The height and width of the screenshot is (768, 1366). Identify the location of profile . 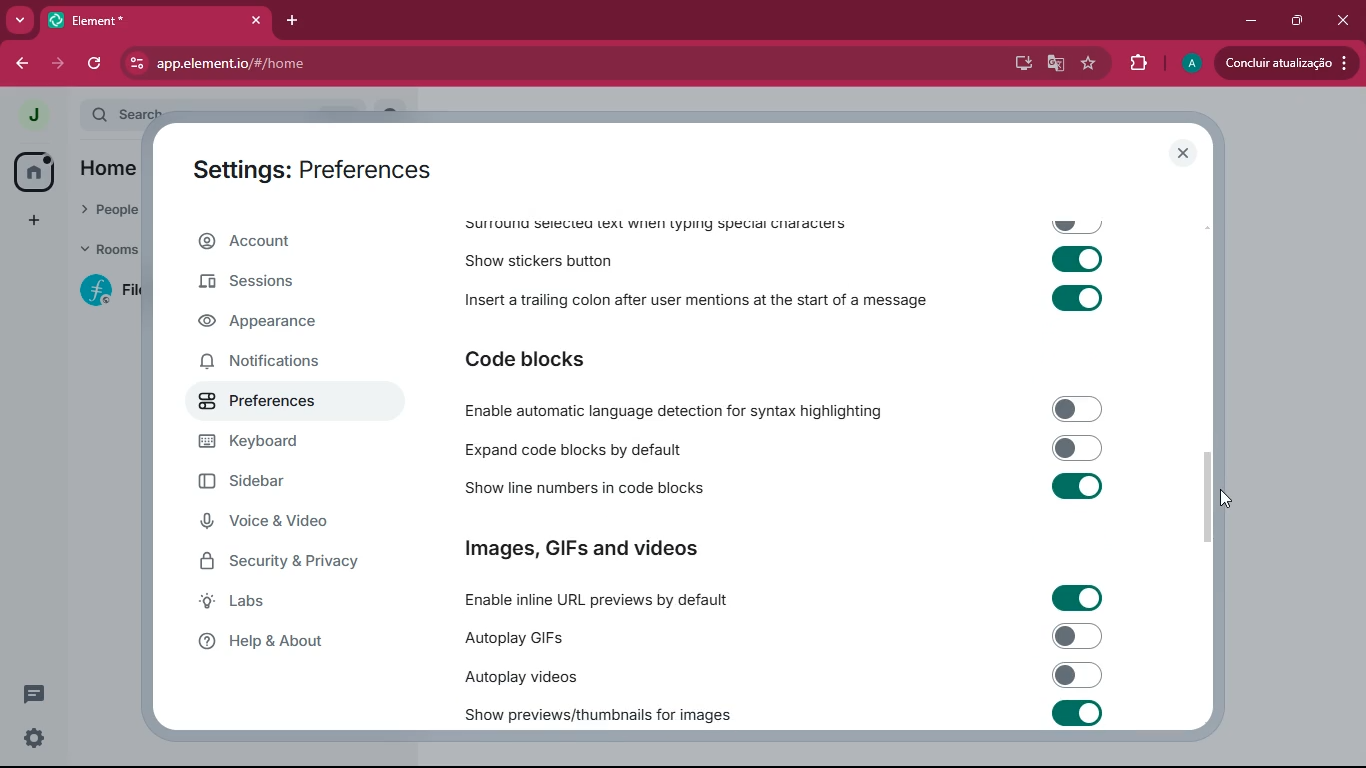
(1186, 64).